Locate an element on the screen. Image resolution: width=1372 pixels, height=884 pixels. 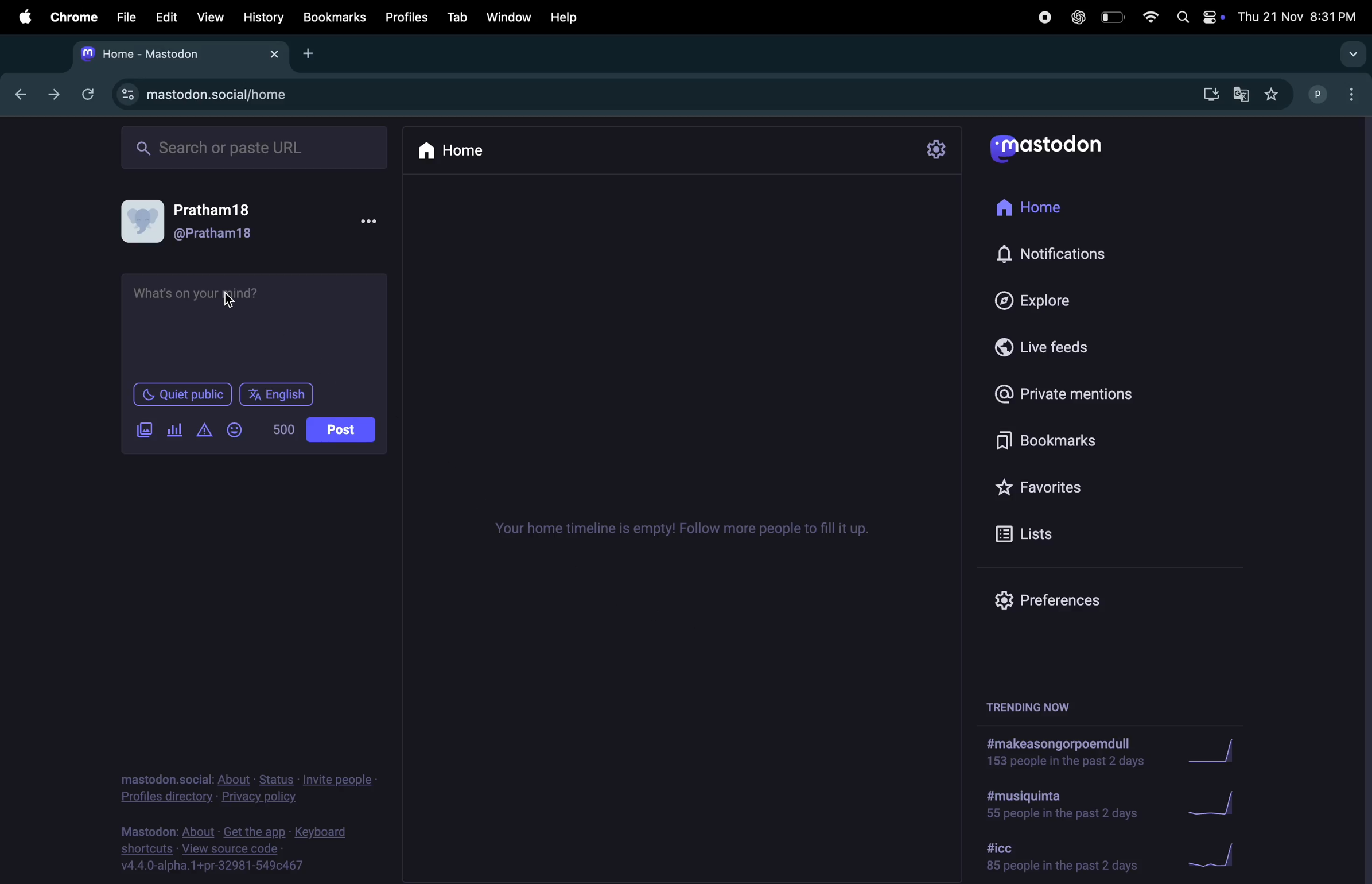
words is located at coordinates (285, 429).